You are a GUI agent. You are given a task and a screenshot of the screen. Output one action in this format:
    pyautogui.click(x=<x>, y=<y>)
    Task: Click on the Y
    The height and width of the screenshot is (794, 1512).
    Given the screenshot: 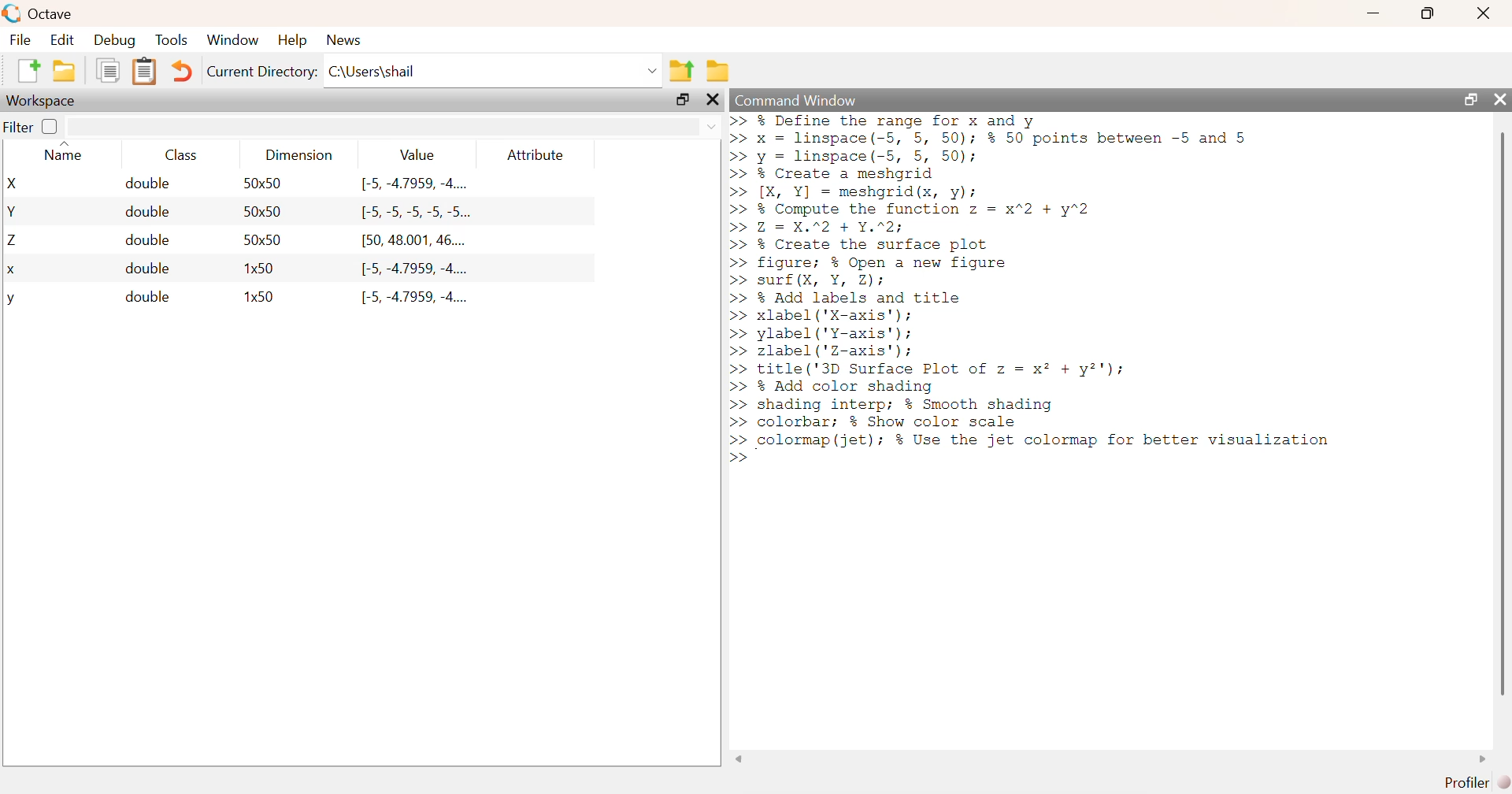 What is the action you would take?
    pyautogui.click(x=13, y=211)
    